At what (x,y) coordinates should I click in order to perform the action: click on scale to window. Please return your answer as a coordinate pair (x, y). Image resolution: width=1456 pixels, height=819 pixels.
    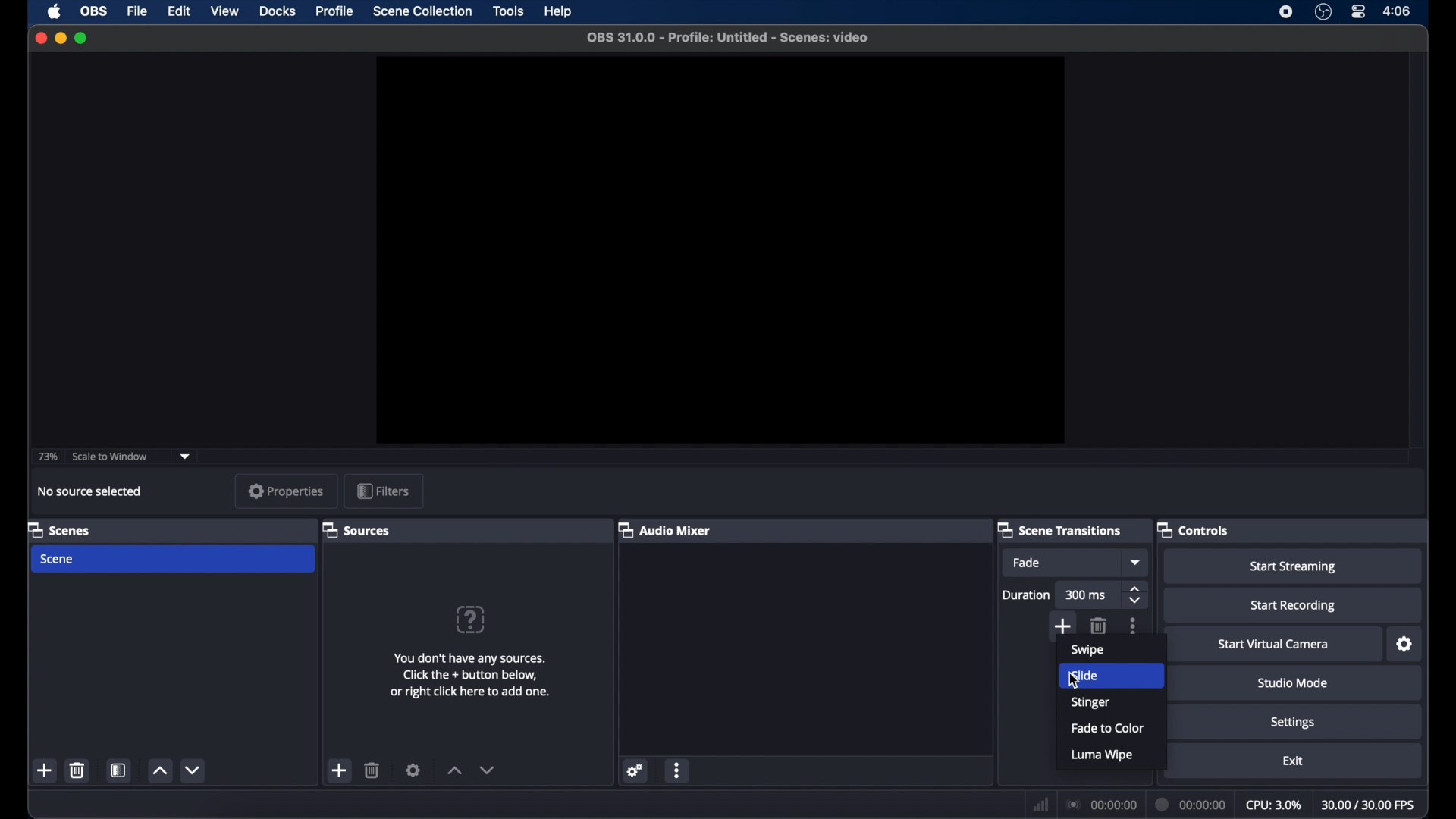
    Looking at the image, I should click on (110, 455).